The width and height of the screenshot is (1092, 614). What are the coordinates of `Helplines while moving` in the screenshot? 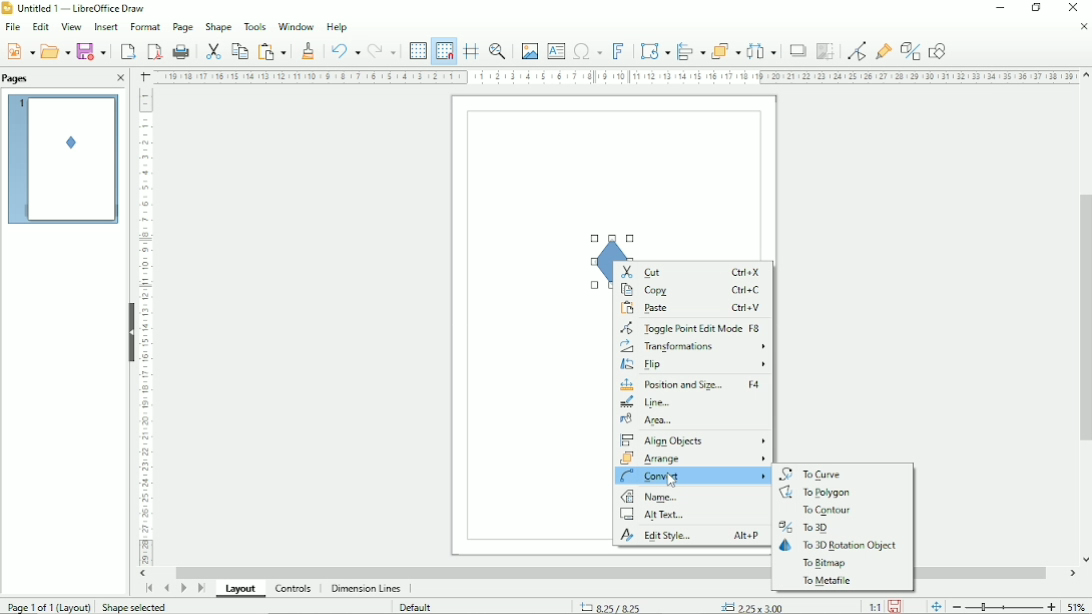 It's located at (470, 51).